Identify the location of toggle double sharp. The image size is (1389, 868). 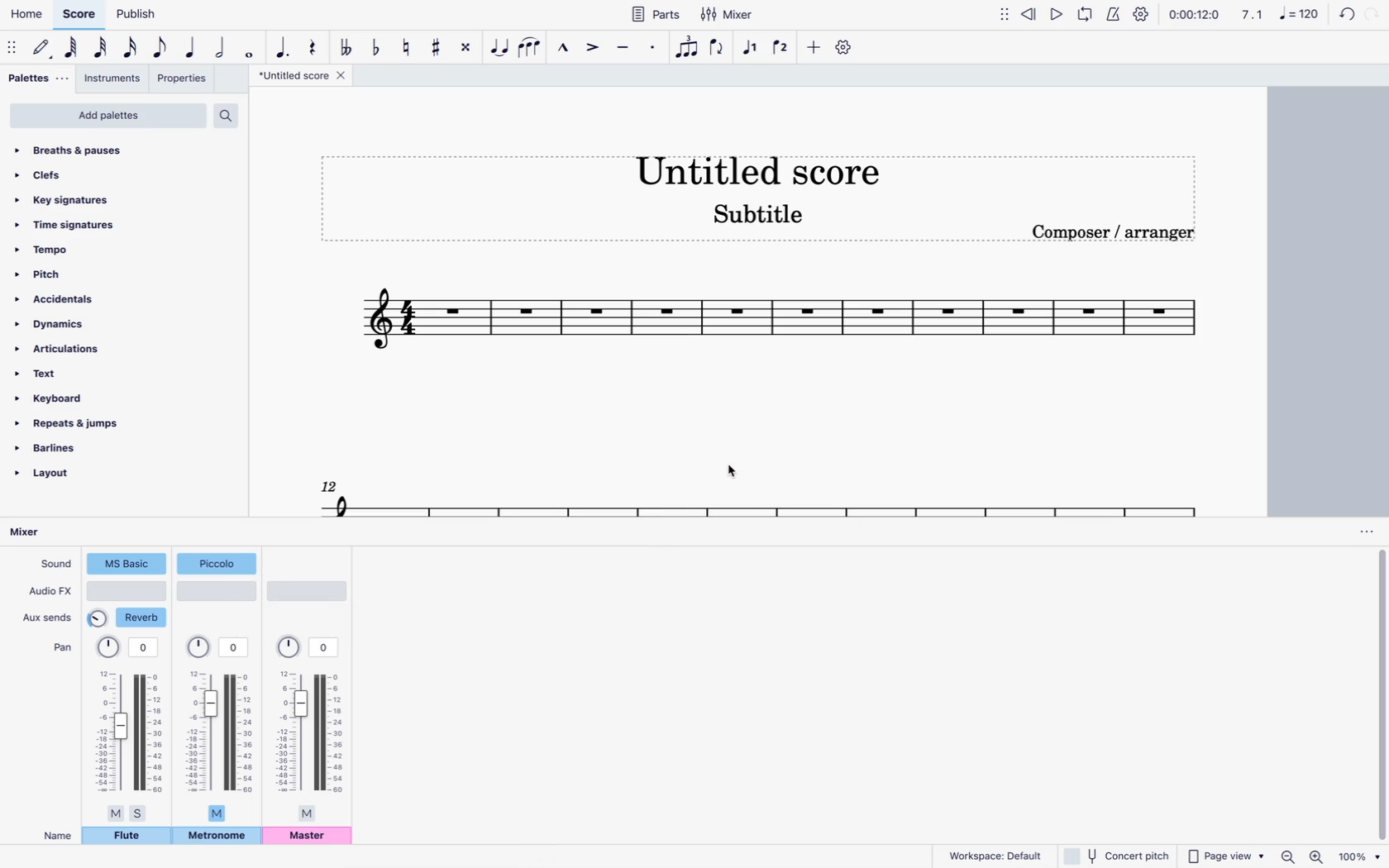
(466, 49).